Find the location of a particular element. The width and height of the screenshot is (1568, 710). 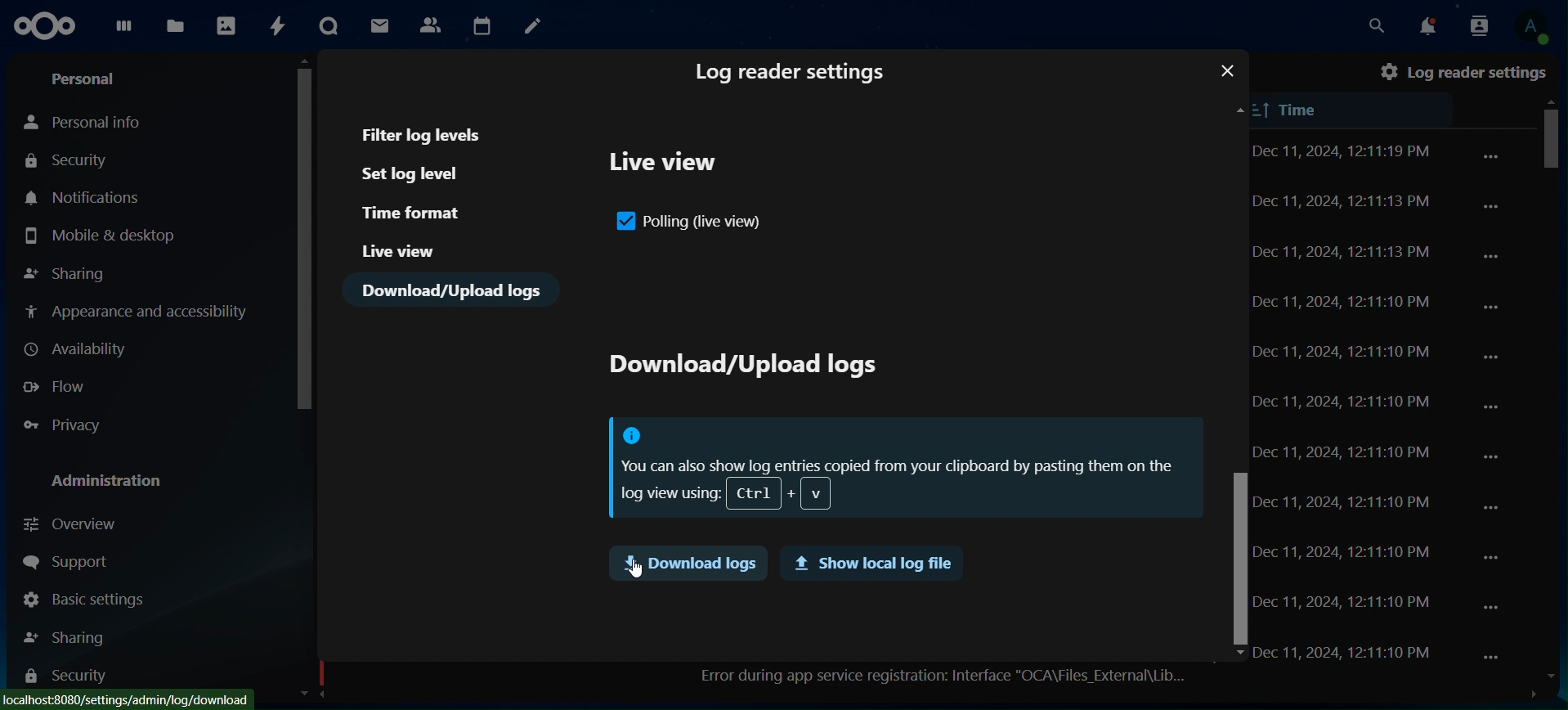

activity is located at coordinates (278, 28).